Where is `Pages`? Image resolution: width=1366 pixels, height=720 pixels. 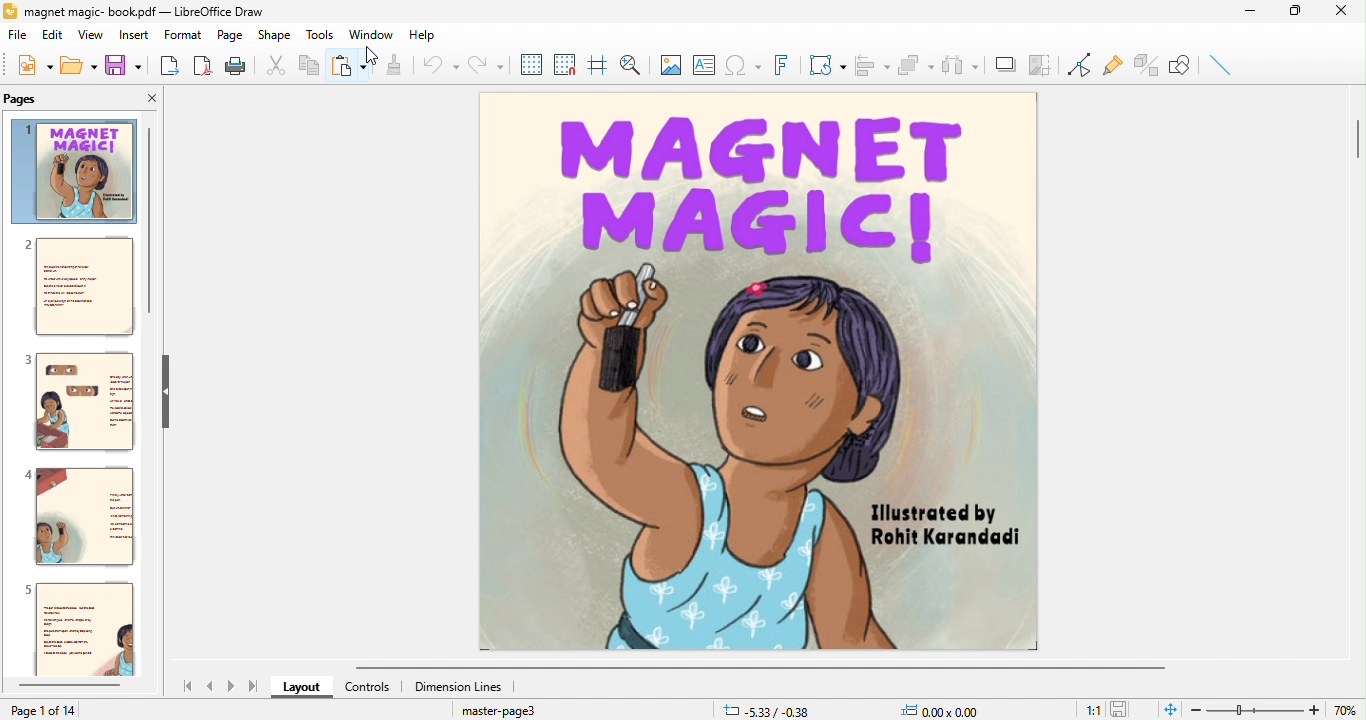
Pages is located at coordinates (30, 99).